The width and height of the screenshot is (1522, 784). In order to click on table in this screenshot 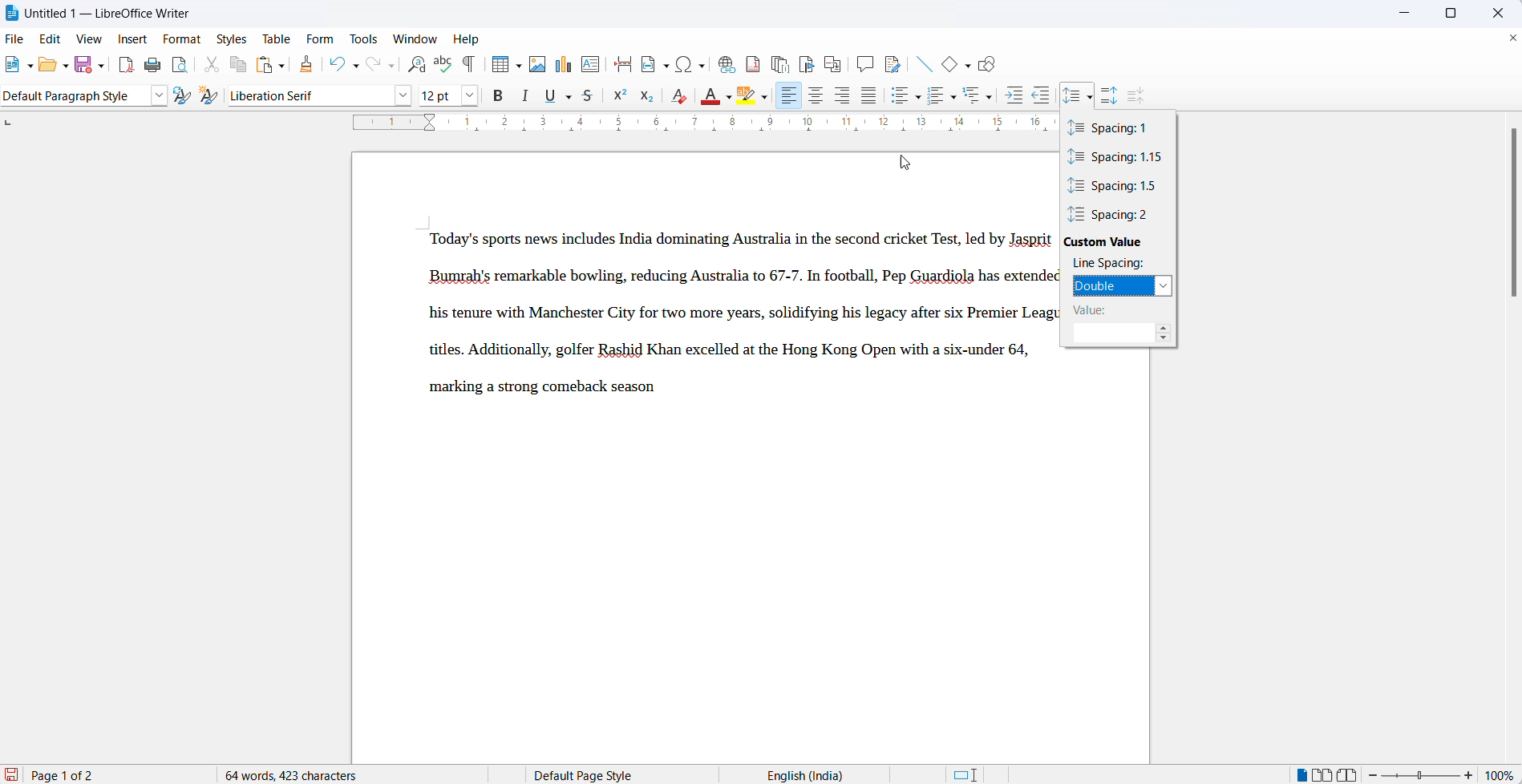, I will do `click(277, 36)`.